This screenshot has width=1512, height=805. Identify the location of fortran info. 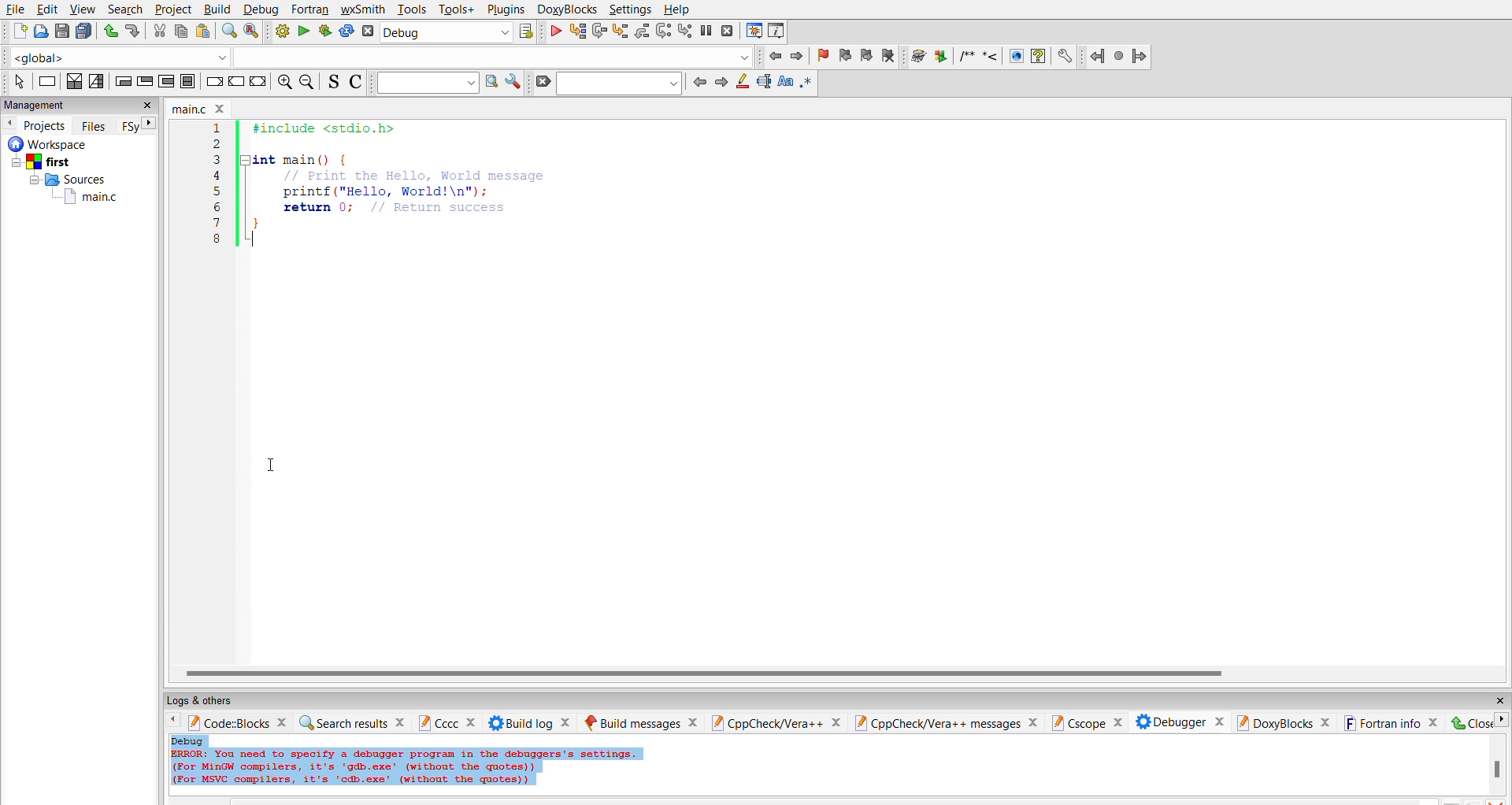
(1389, 722).